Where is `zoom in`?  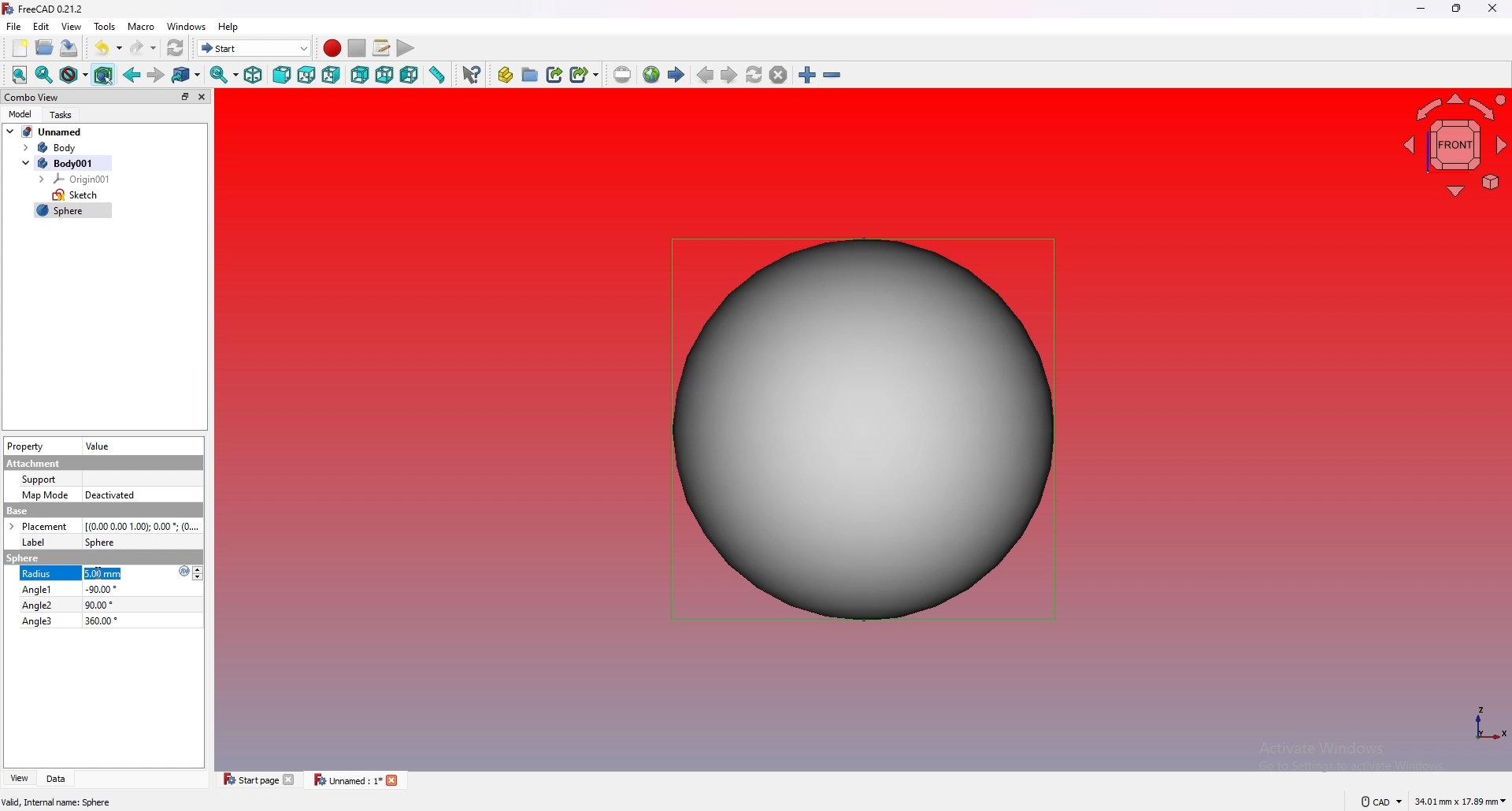 zoom in is located at coordinates (807, 75).